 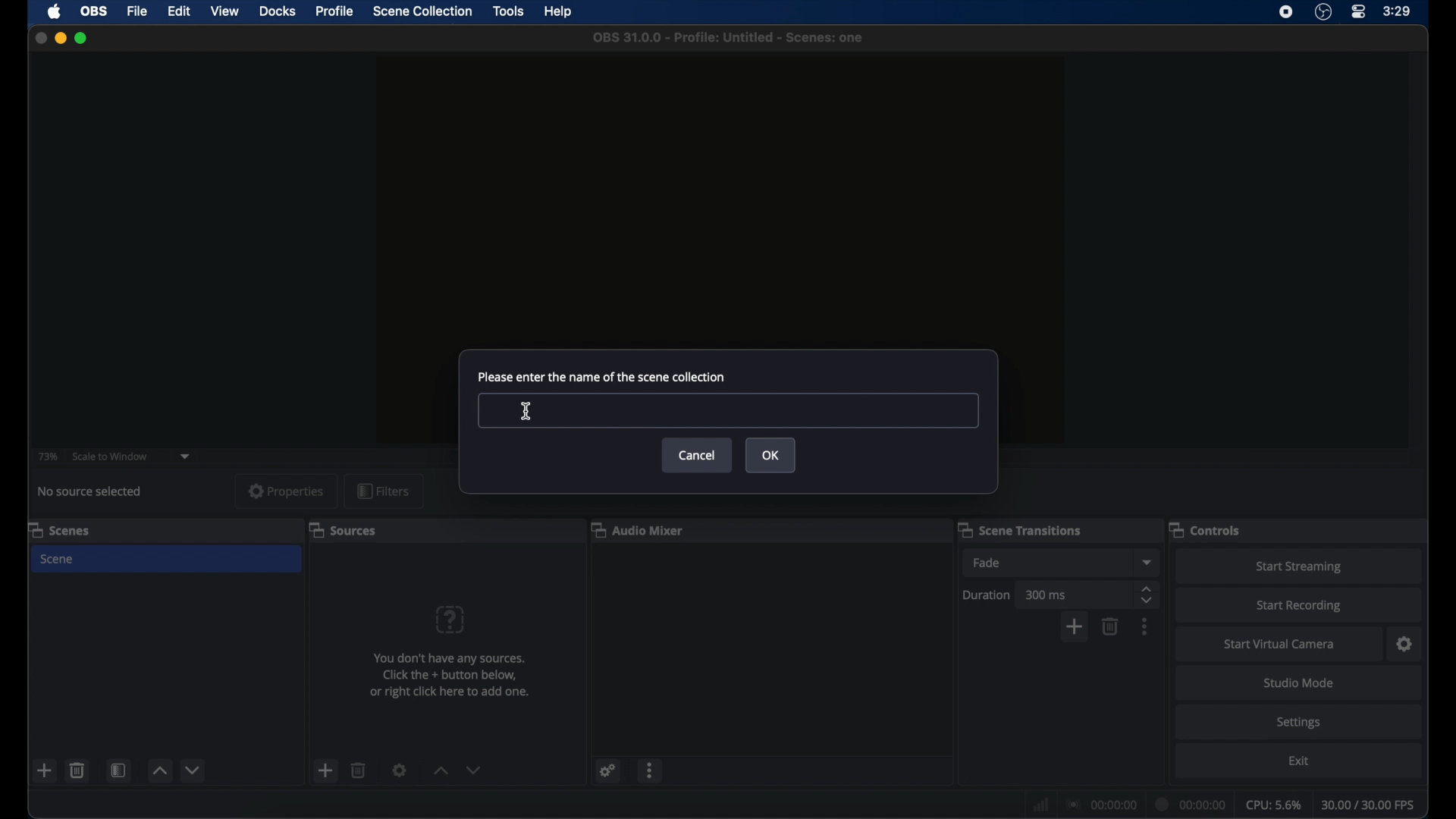 What do you see at coordinates (1398, 11) in the screenshot?
I see `time` at bounding box center [1398, 11].